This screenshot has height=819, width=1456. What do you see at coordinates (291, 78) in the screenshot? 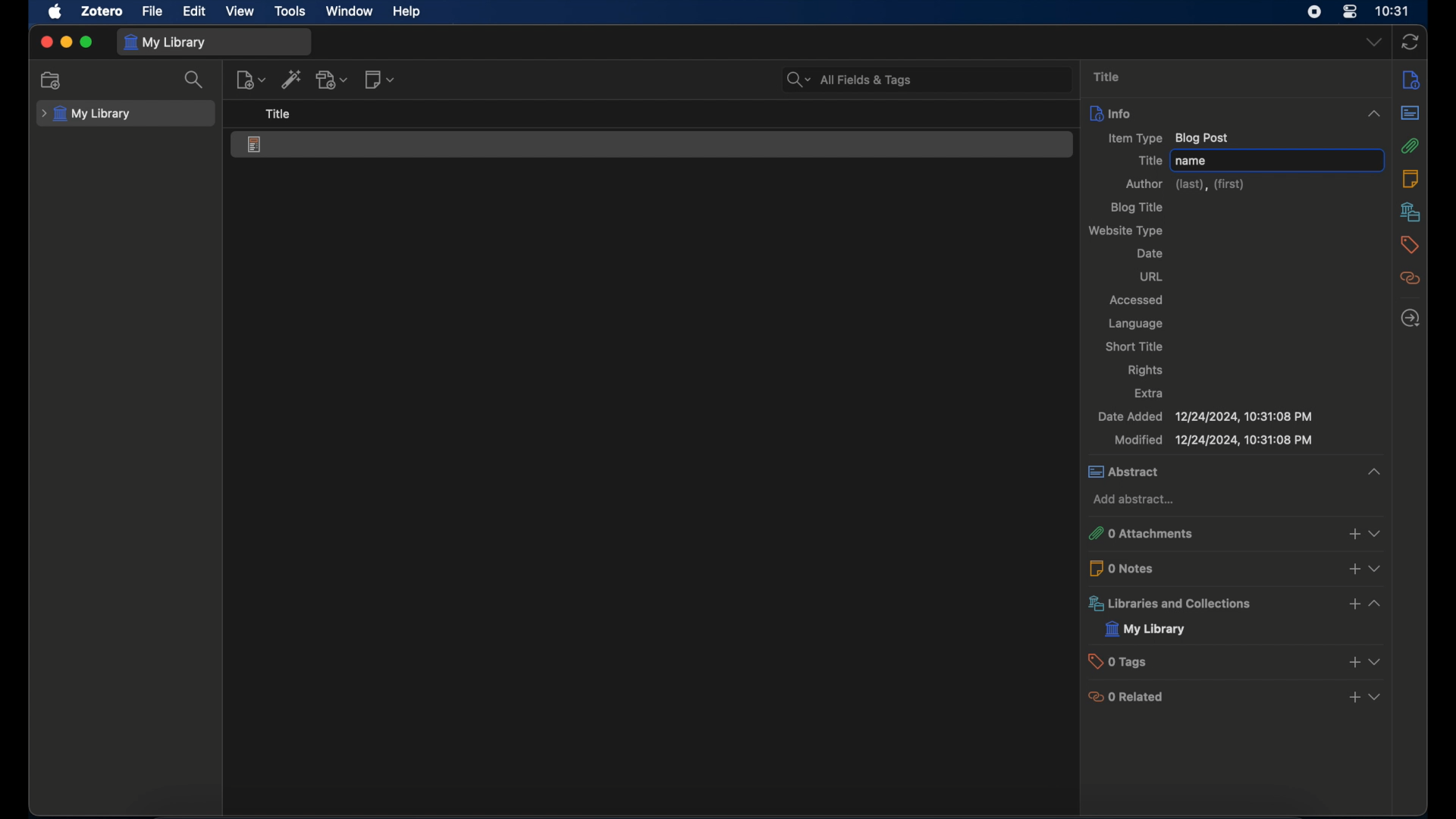
I see `add item by identifier` at bounding box center [291, 78].